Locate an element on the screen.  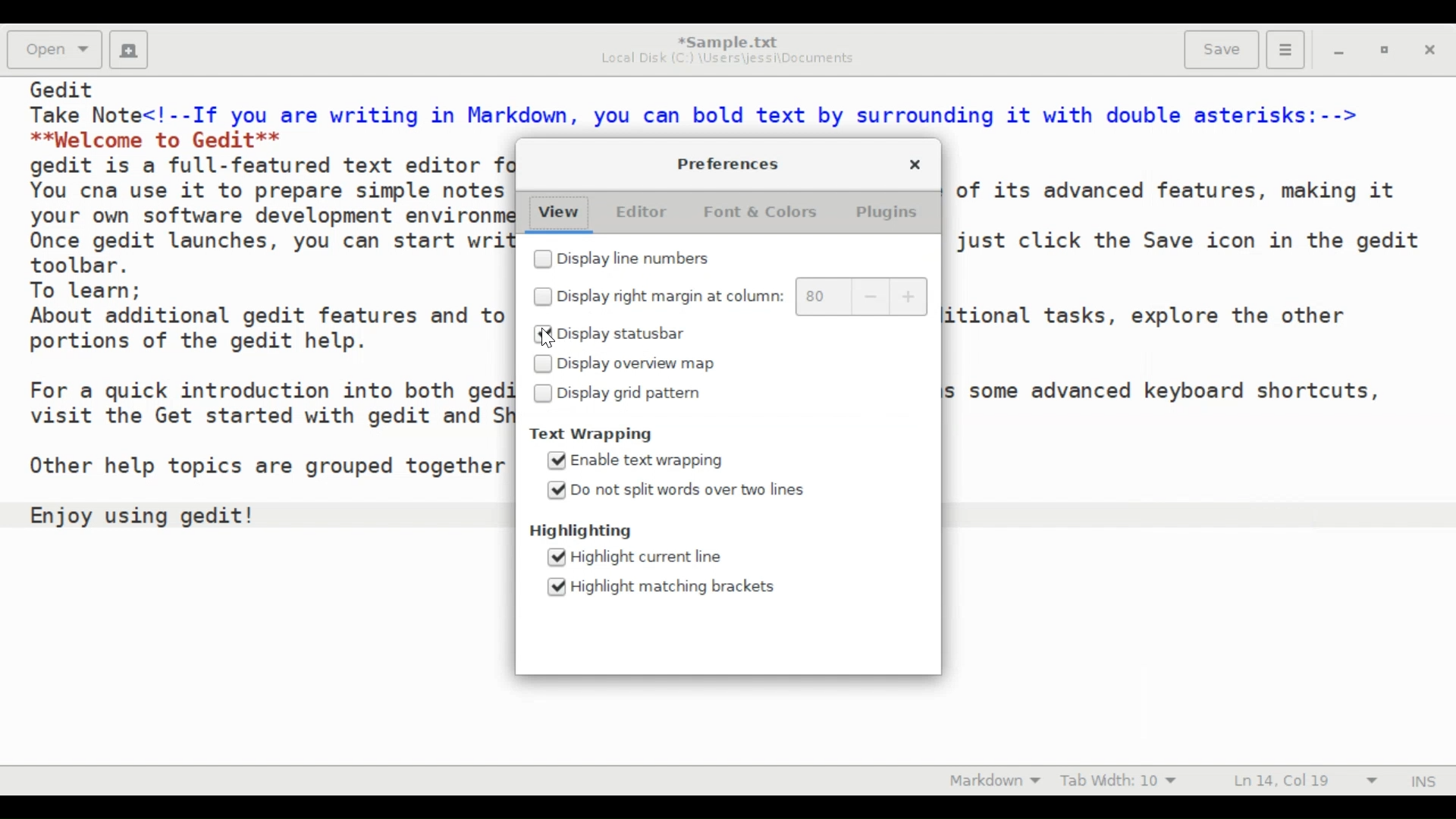
View is located at coordinates (559, 213).